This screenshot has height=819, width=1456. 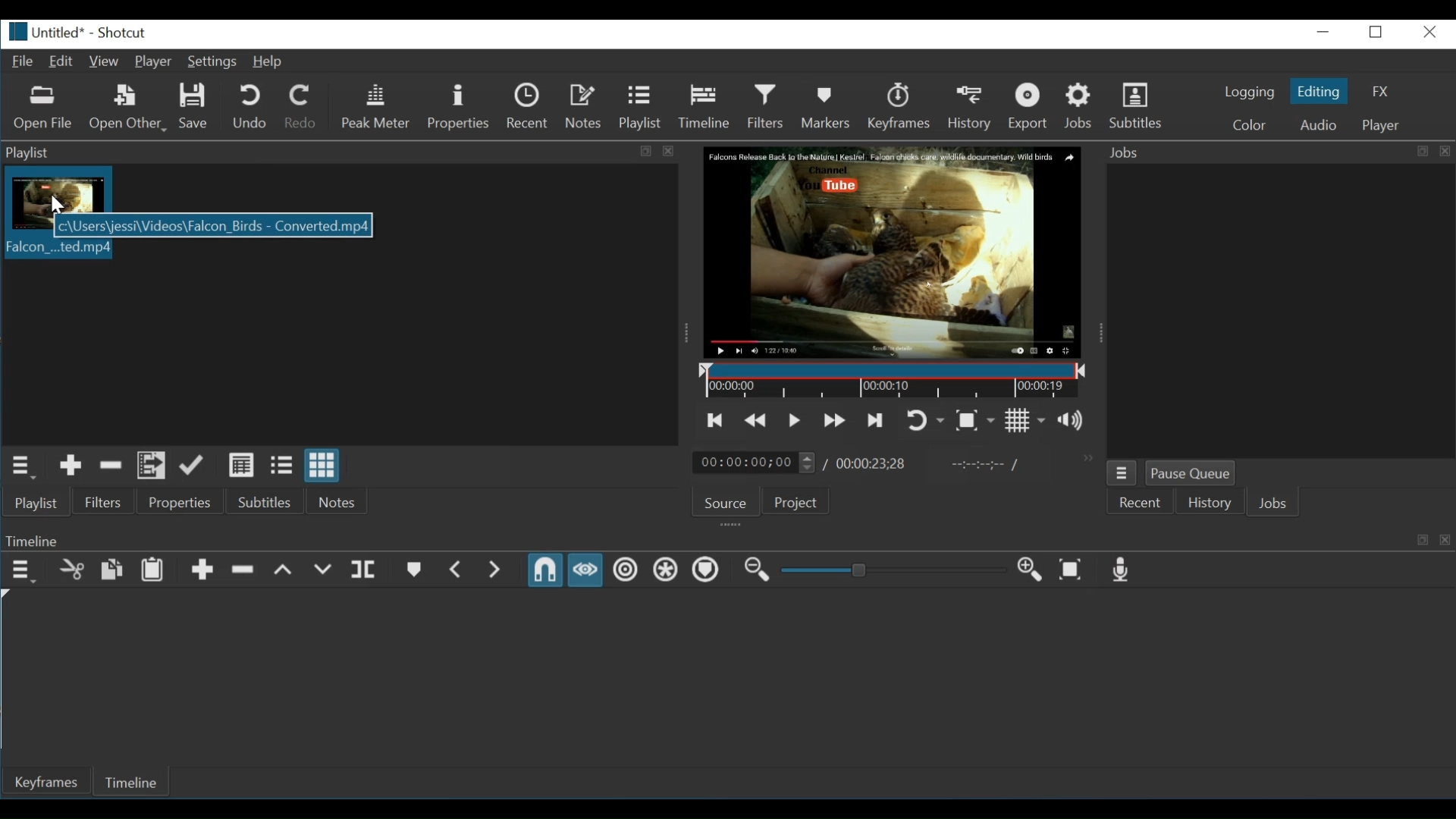 What do you see at coordinates (726, 504) in the screenshot?
I see `Source` at bounding box center [726, 504].